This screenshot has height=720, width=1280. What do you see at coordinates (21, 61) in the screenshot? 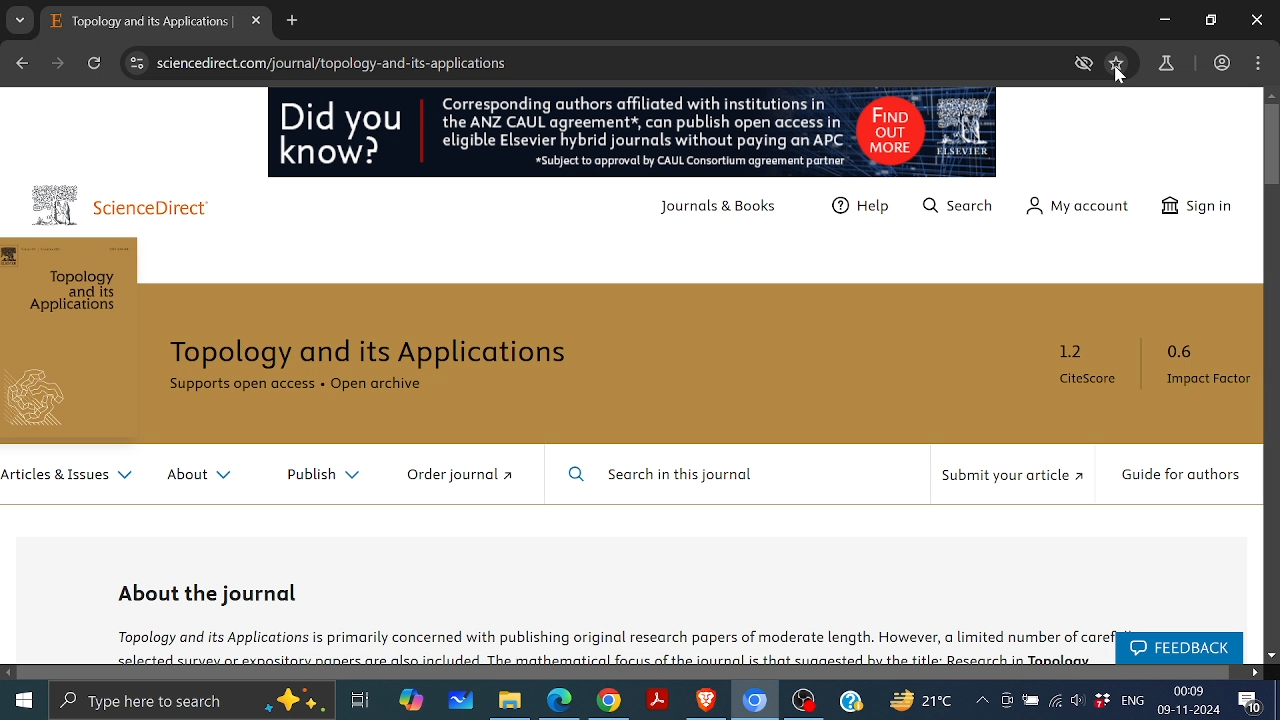
I see `Move to previous page` at bounding box center [21, 61].